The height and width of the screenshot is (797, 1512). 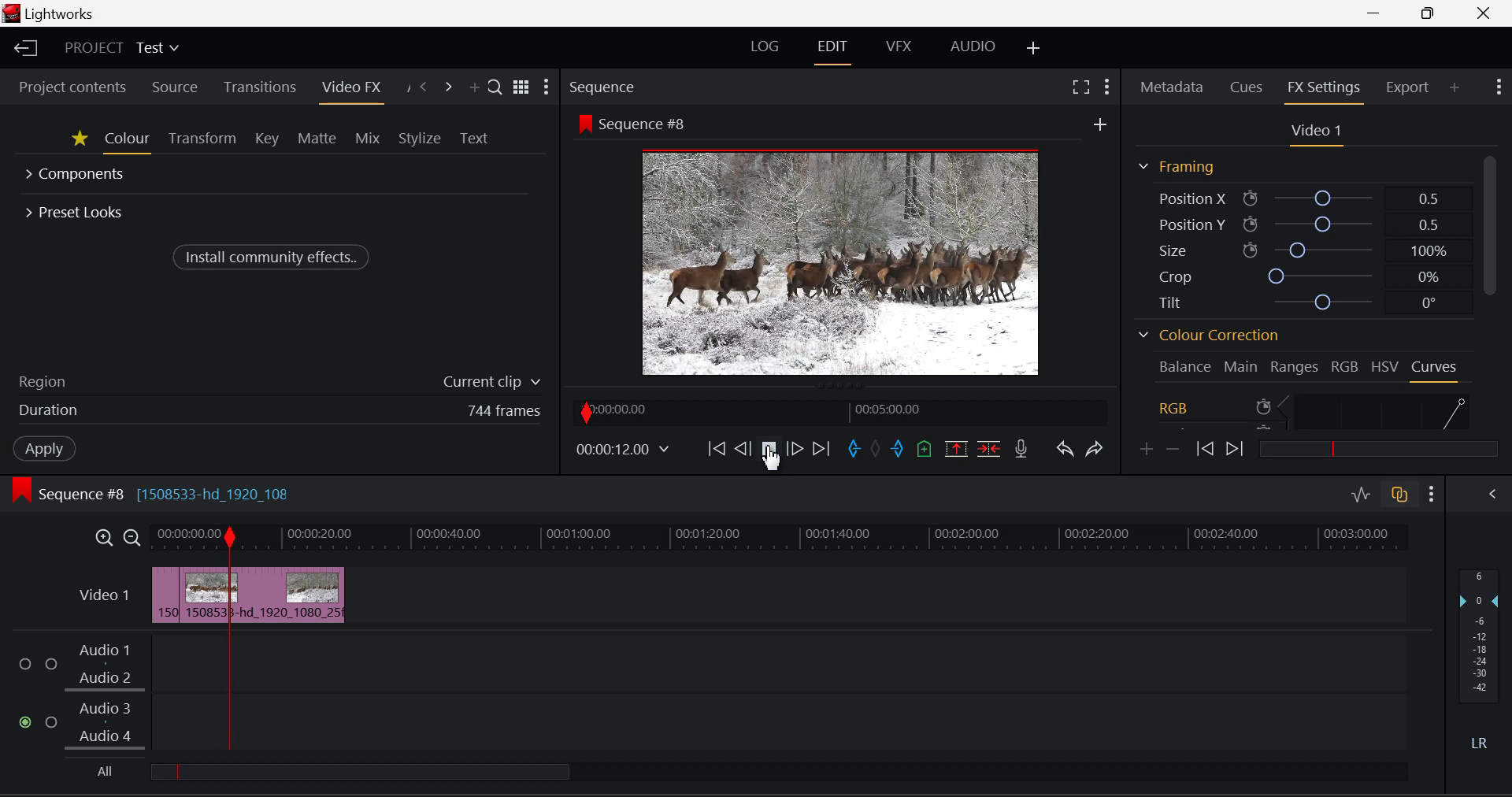 What do you see at coordinates (43, 449) in the screenshot?
I see `Apply` at bounding box center [43, 449].